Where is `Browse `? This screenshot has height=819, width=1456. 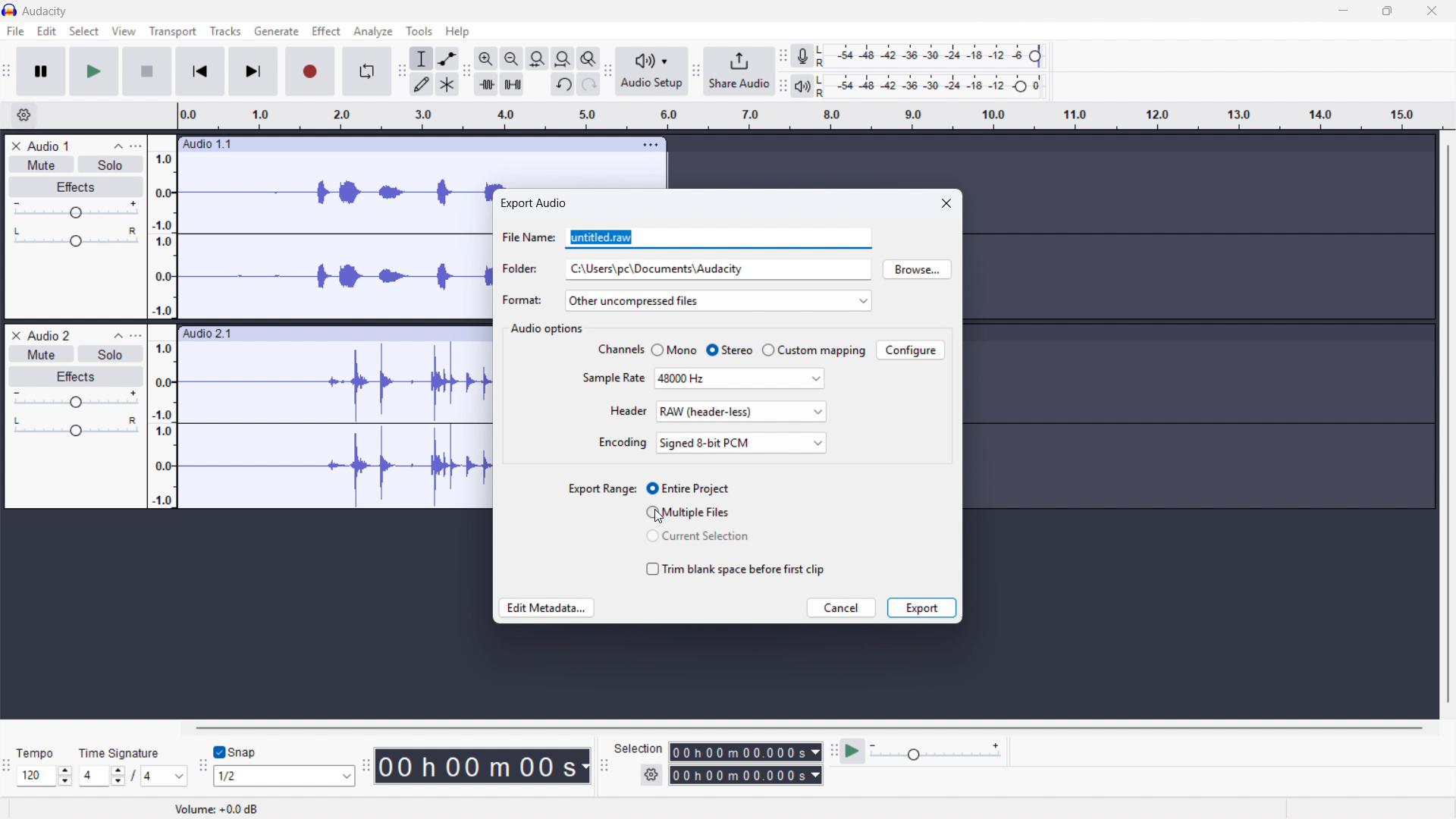 Browse  is located at coordinates (917, 269).